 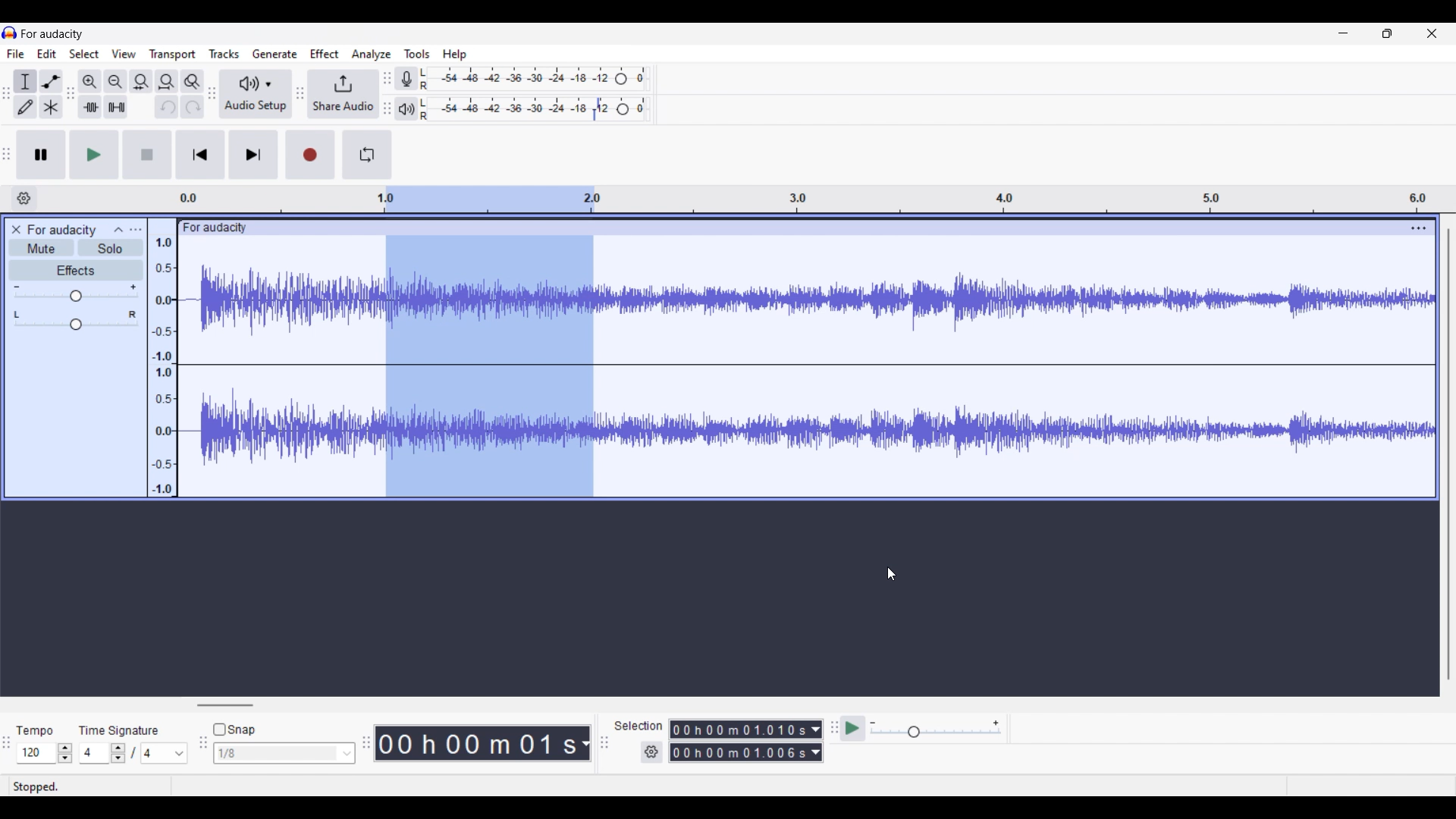 What do you see at coordinates (535, 79) in the screenshot?
I see `Recording level` at bounding box center [535, 79].